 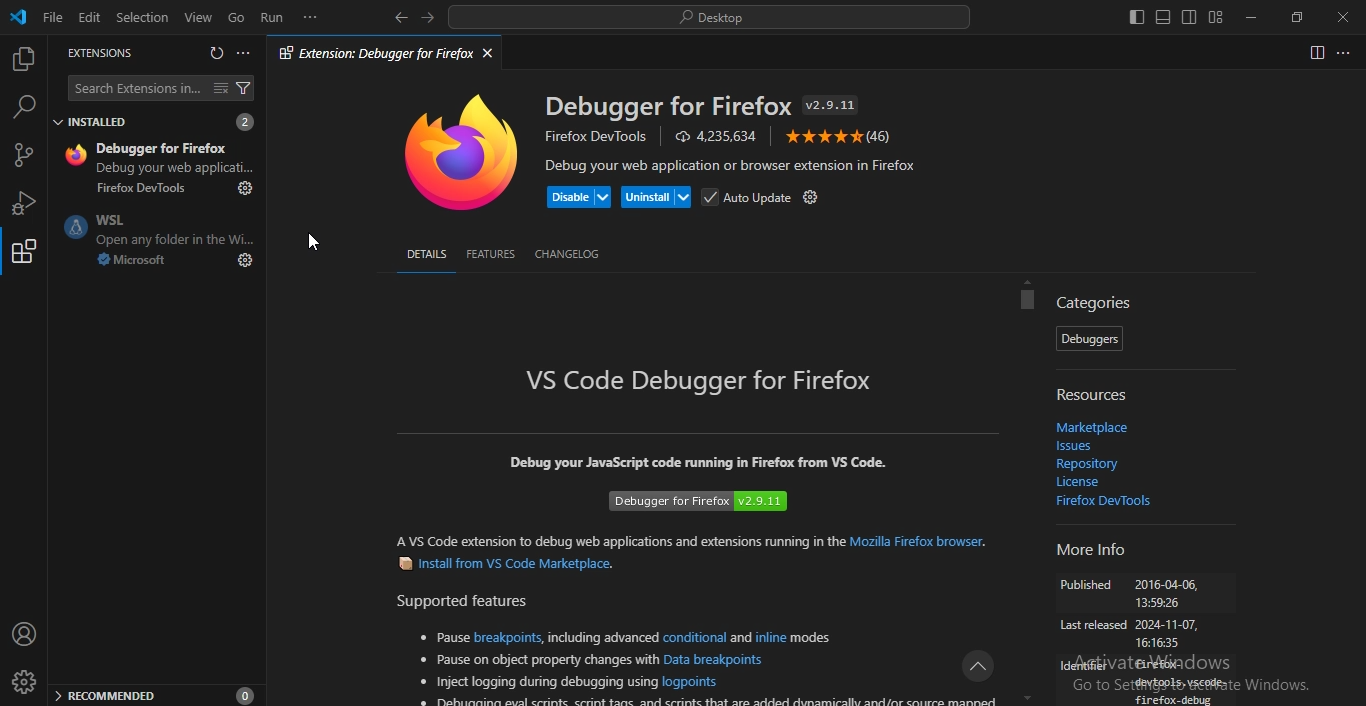 I want to click on source control, so click(x=24, y=156).